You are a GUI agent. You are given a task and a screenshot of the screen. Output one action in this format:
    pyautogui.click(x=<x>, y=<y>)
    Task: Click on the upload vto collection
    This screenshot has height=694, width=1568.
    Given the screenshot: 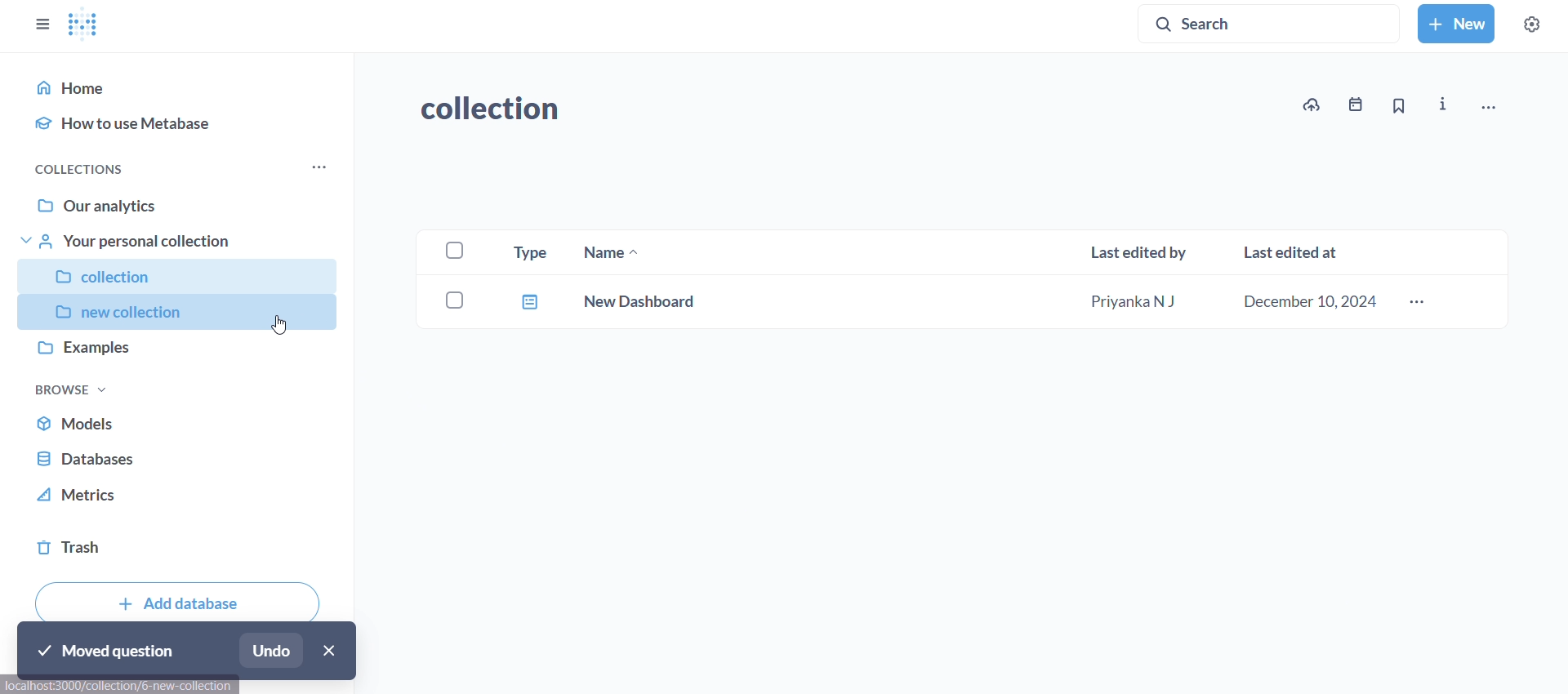 What is the action you would take?
    pyautogui.click(x=1311, y=105)
    